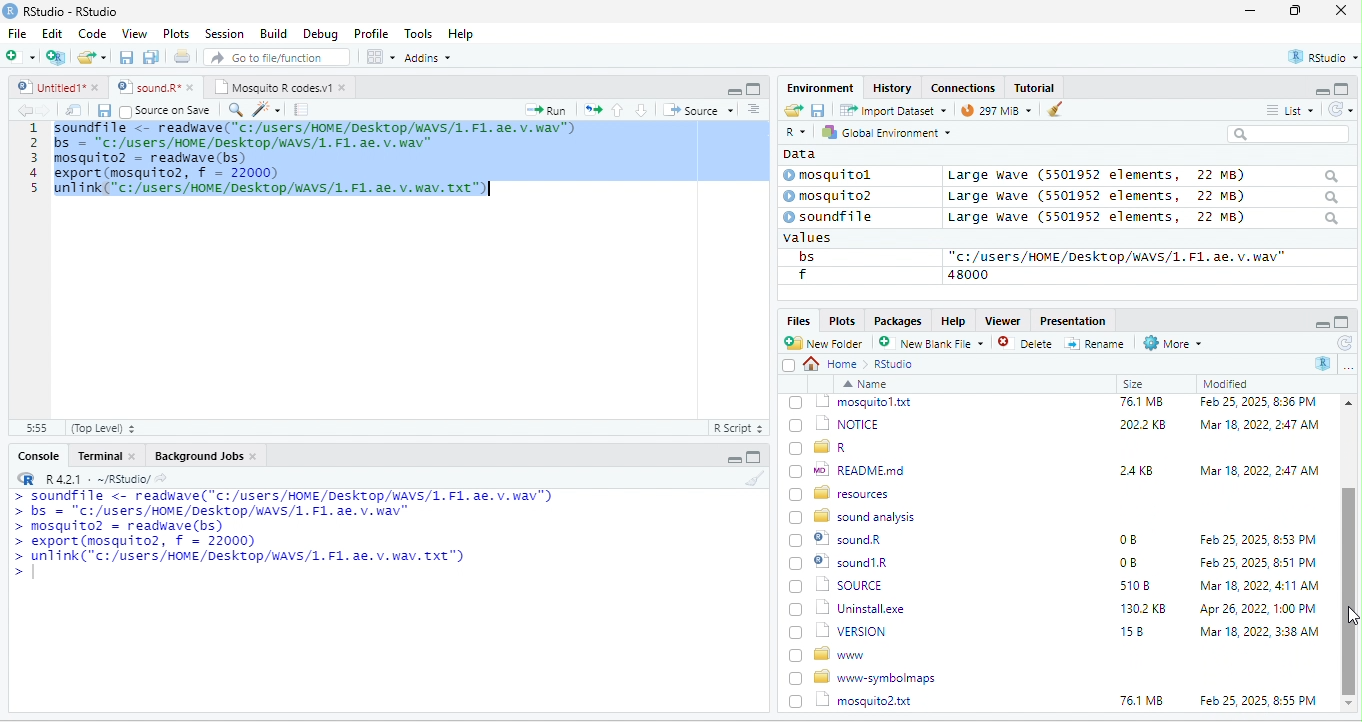  What do you see at coordinates (150, 87) in the screenshot?
I see `‘Mosquito R codes.vi` at bounding box center [150, 87].